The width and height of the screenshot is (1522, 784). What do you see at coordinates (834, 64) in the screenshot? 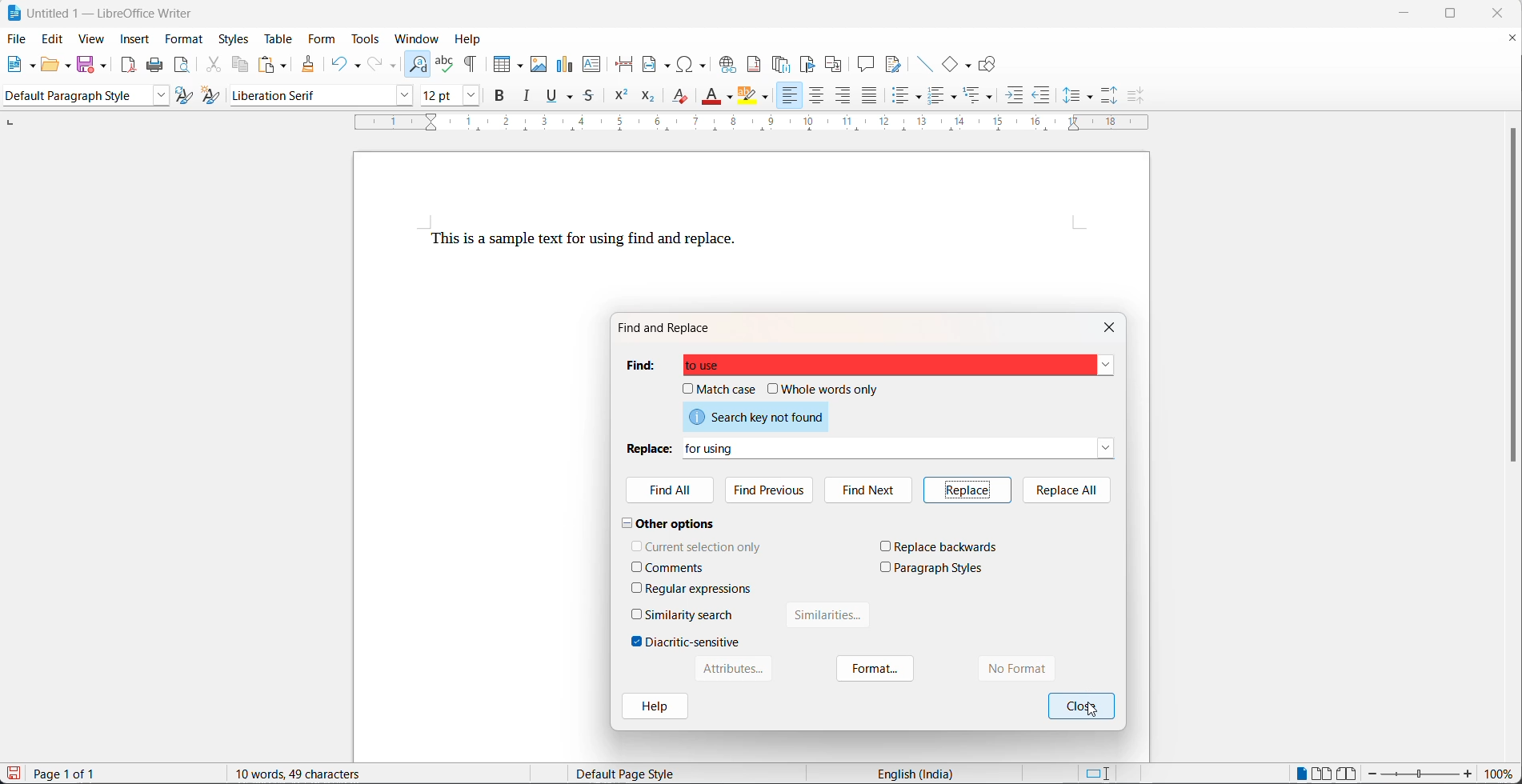
I see `insert cross-reference` at bounding box center [834, 64].